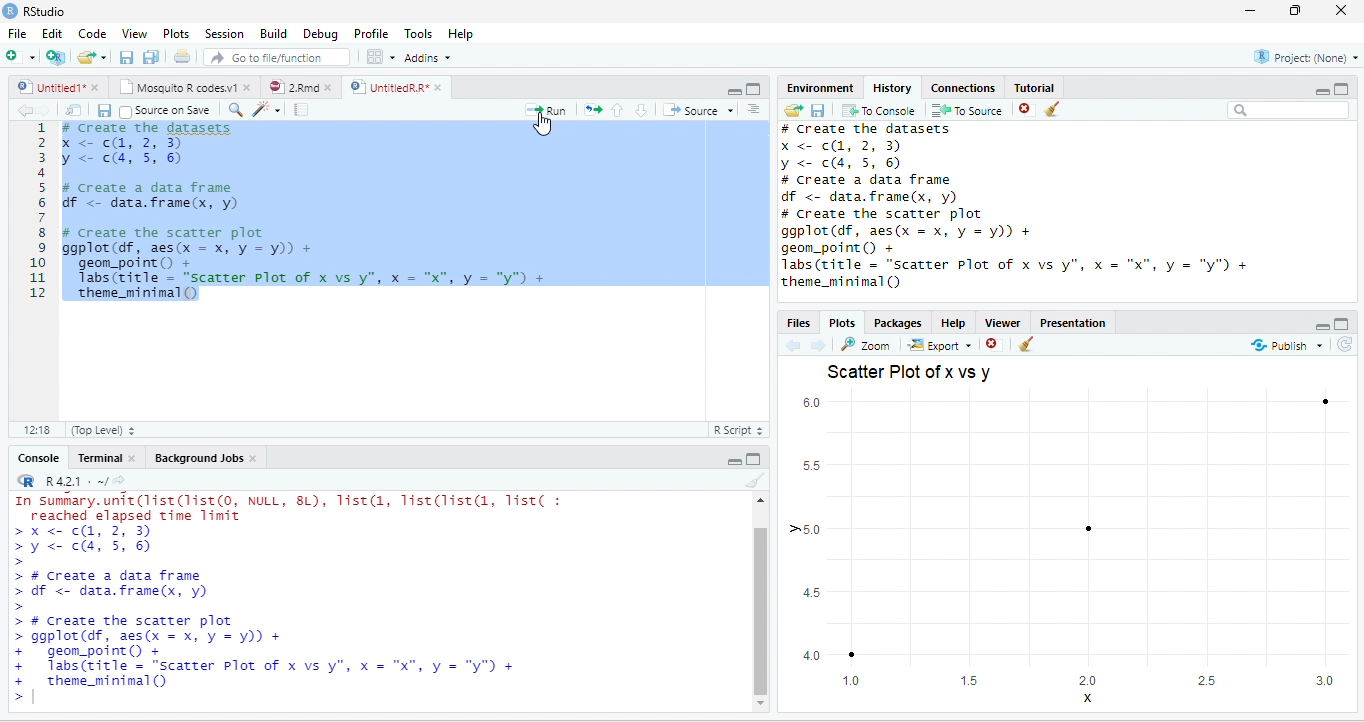 The image size is (1364, 722). What do you see at coordinates (891, 88) in the screenshot?
I see `History` at bounding box center [891, 88].